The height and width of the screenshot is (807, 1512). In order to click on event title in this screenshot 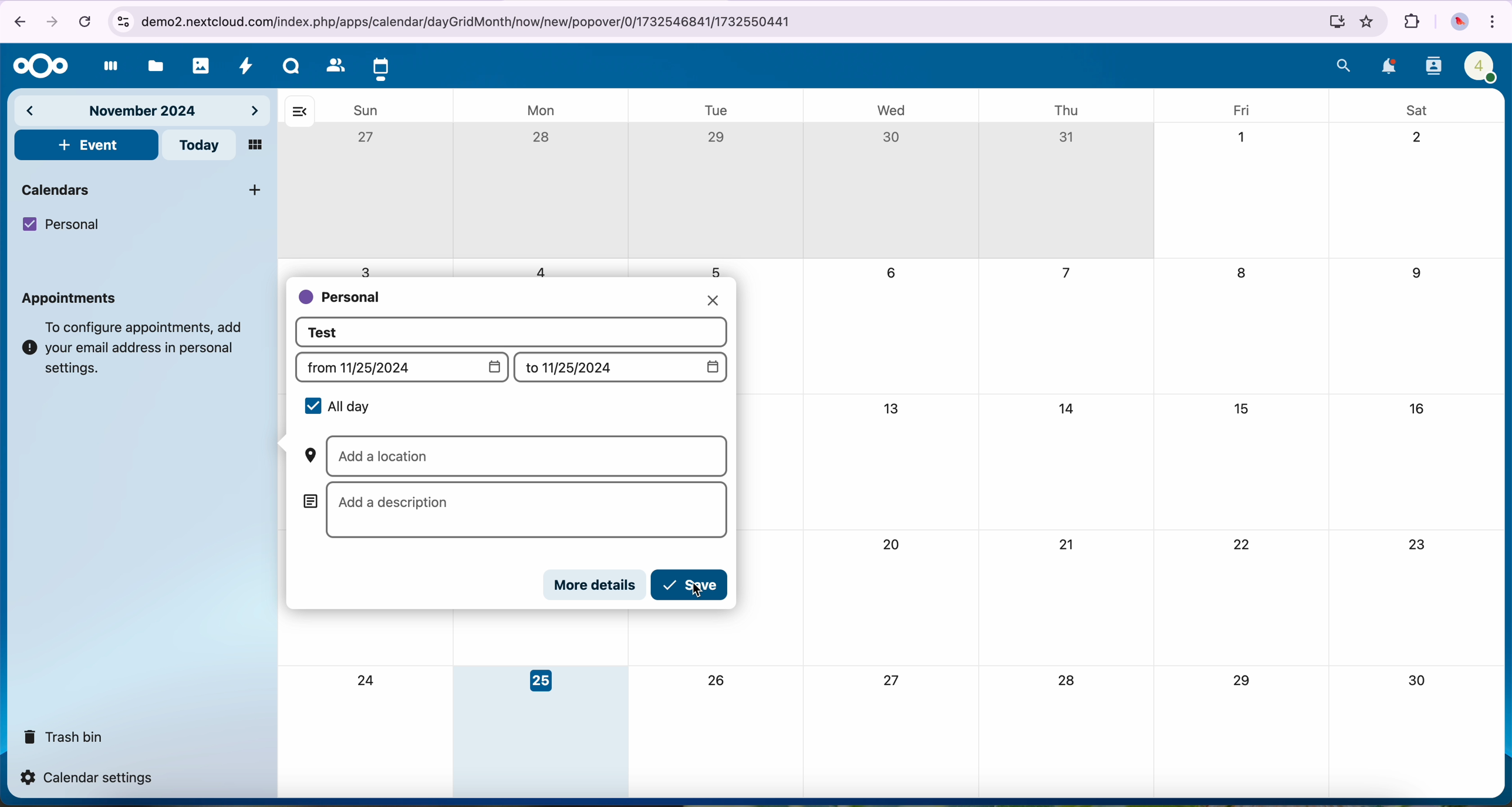, I will do `click(512, 332)`.